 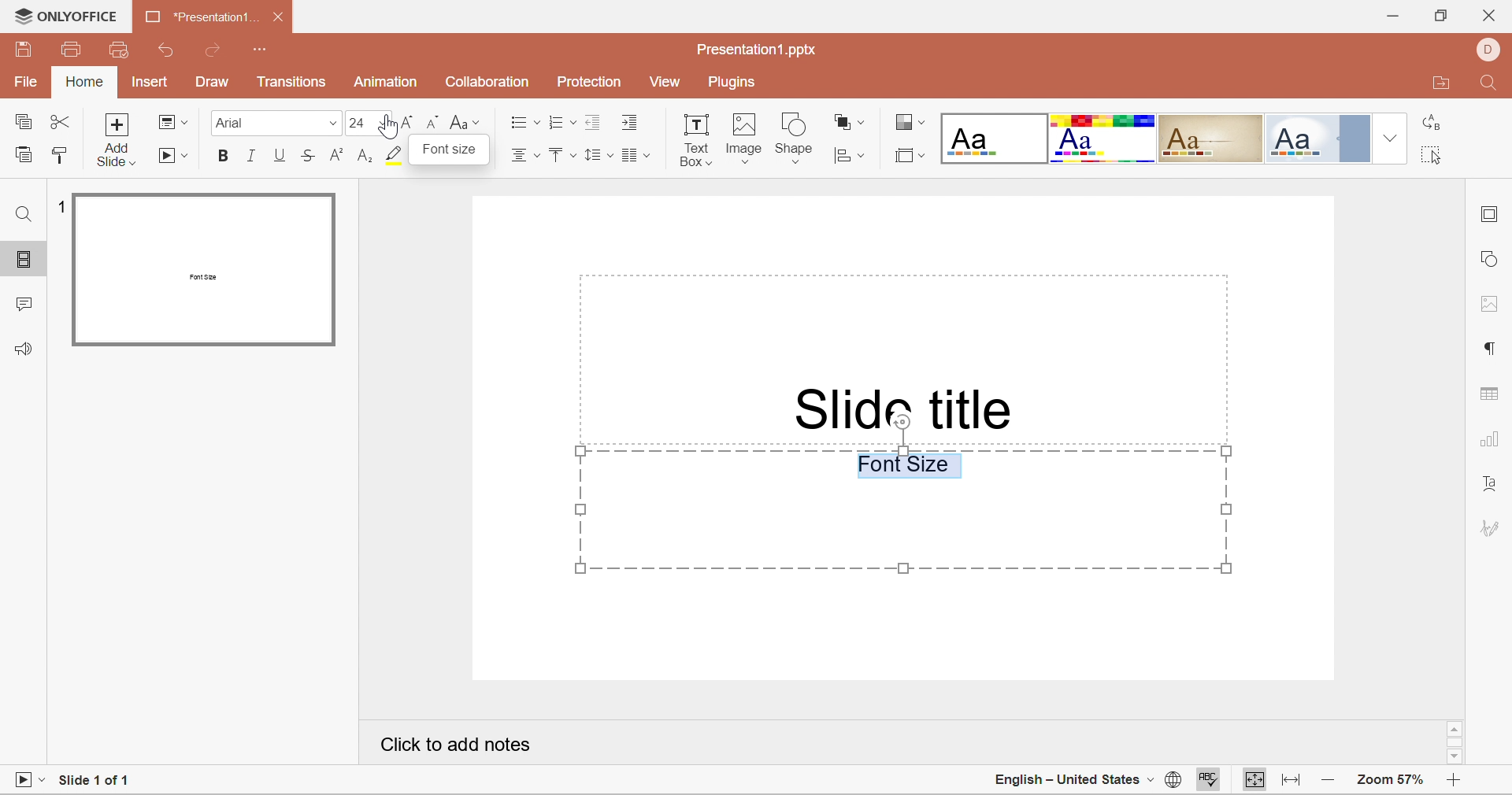 What do you see at coordinates (731, 83) in the screenshot?
I see `Plugins` at bounding box center [731, 83].